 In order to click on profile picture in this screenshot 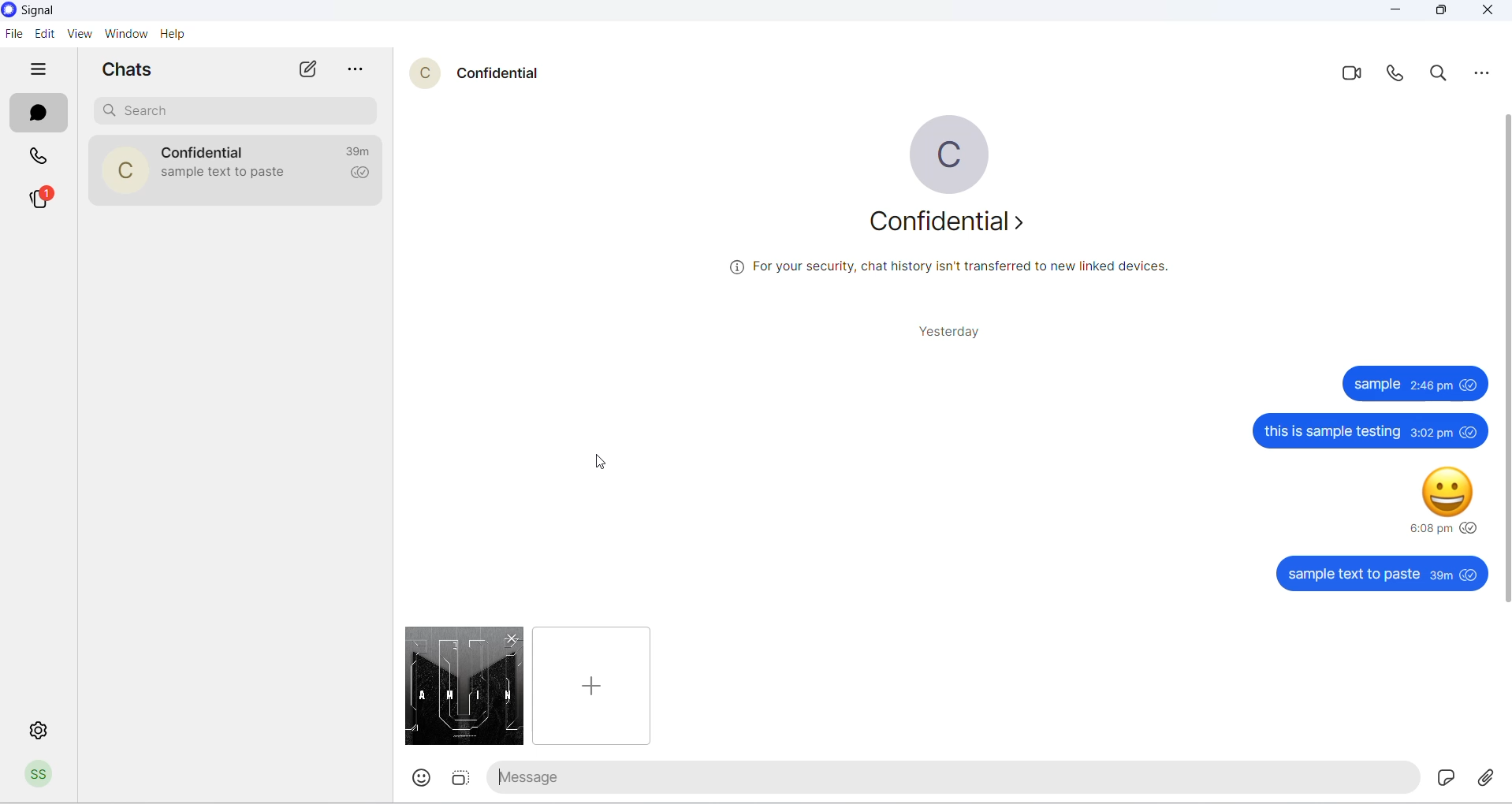, I will do `click(953, 153)`.